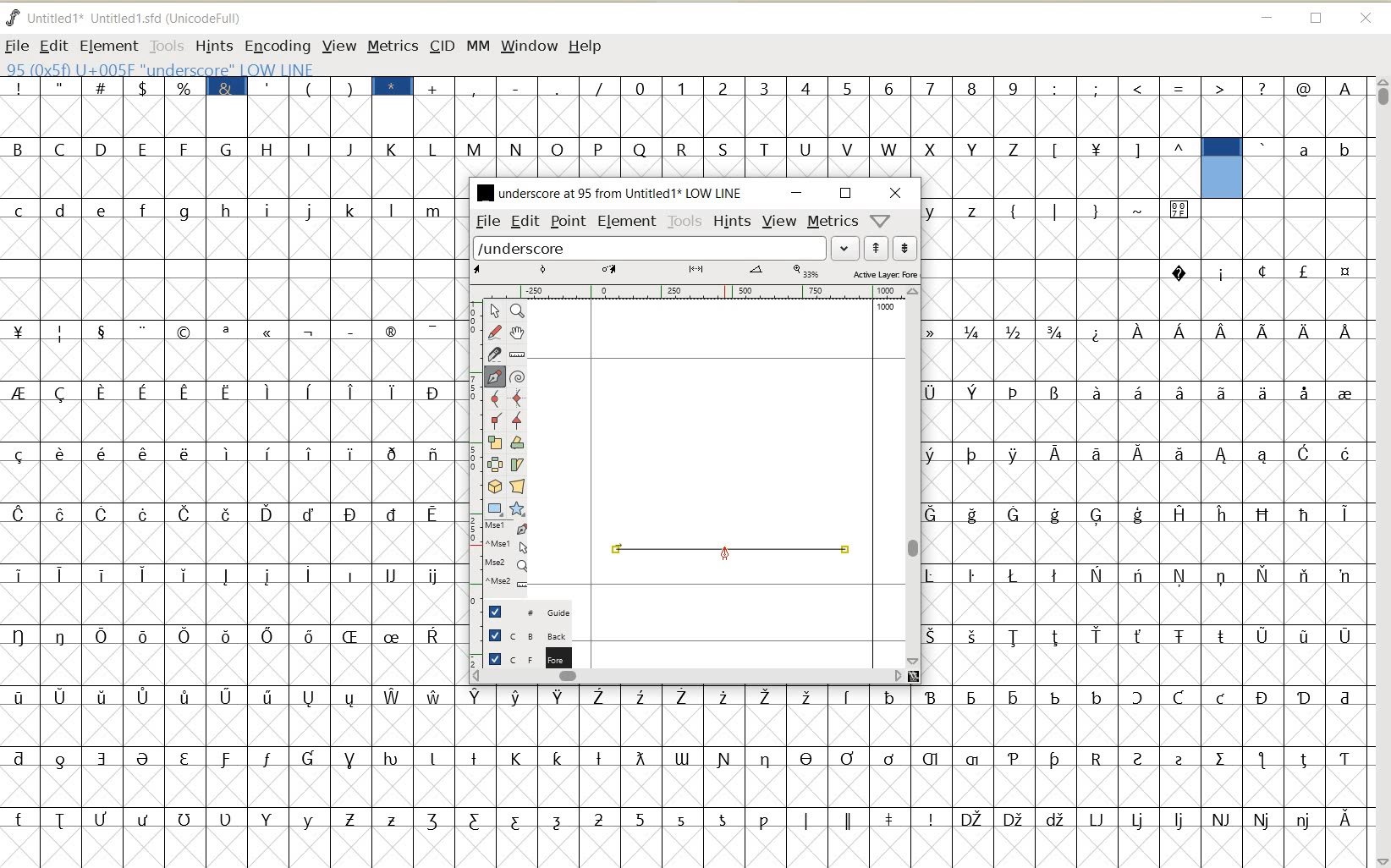 The height and width of the screenshot is (868, 1391). I want to click on SCROLLBAR, so click(1381, 472).